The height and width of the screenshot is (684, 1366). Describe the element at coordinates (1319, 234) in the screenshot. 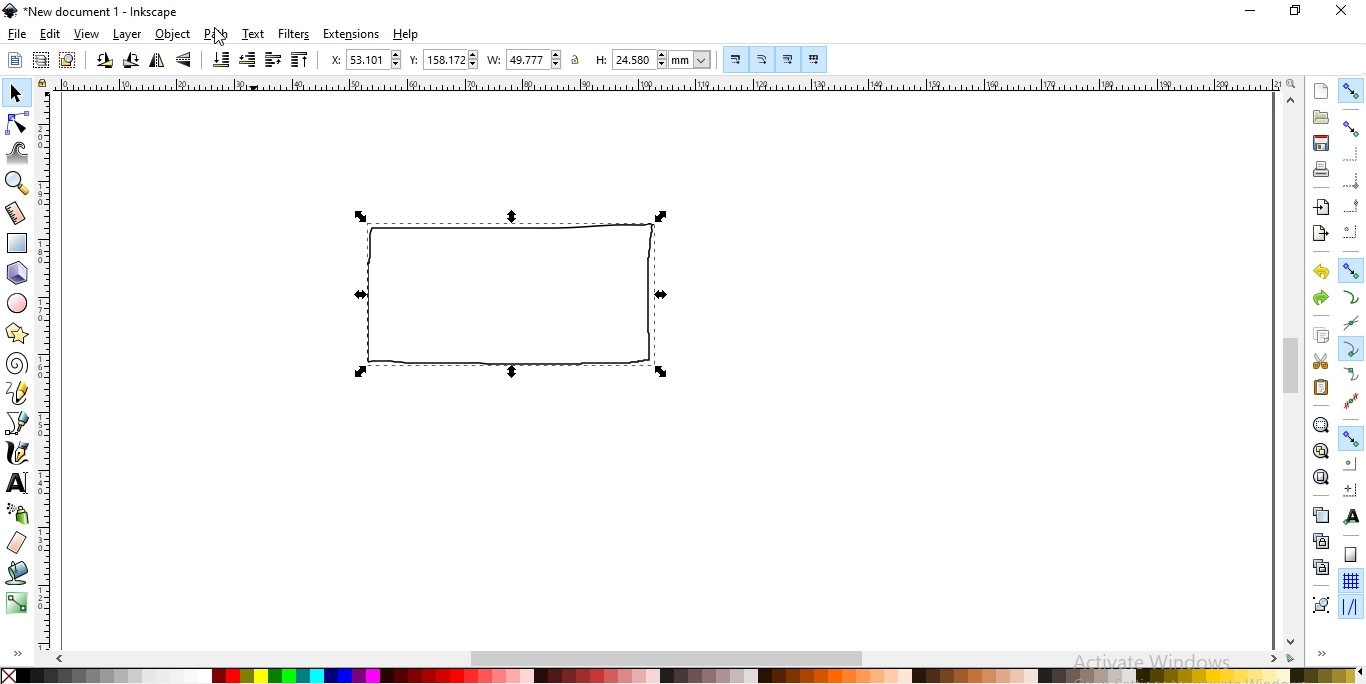

I see `export a document` at that location.